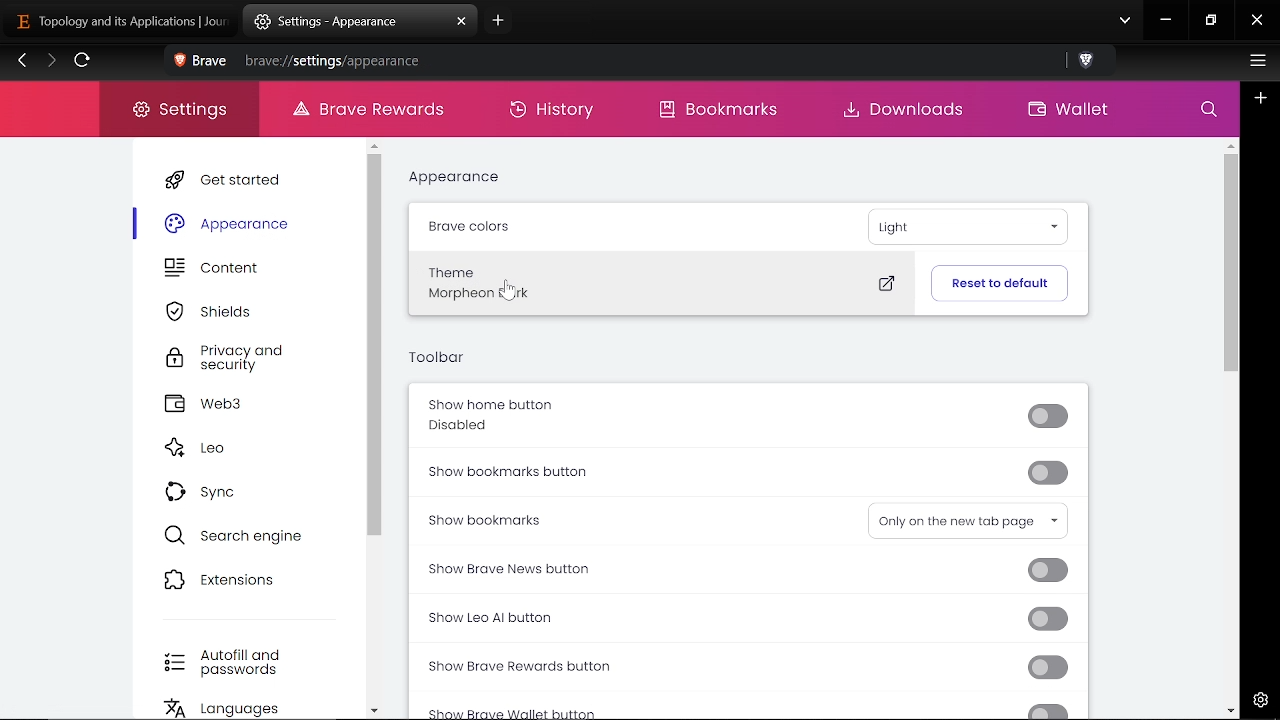  Describe the element at coordinates (663, 285) in the screenshot. I see `Theme` at that location.